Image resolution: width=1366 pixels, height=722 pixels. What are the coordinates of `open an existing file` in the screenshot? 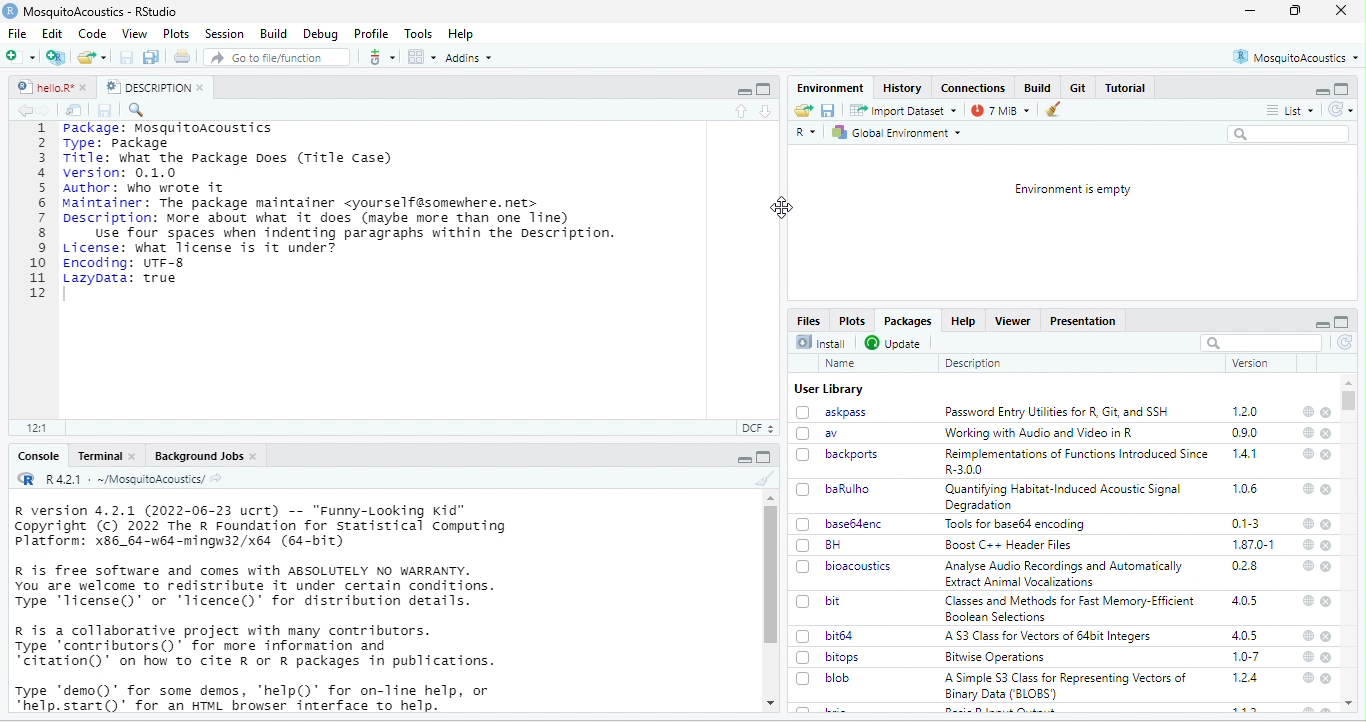 It's located at (93, 56).